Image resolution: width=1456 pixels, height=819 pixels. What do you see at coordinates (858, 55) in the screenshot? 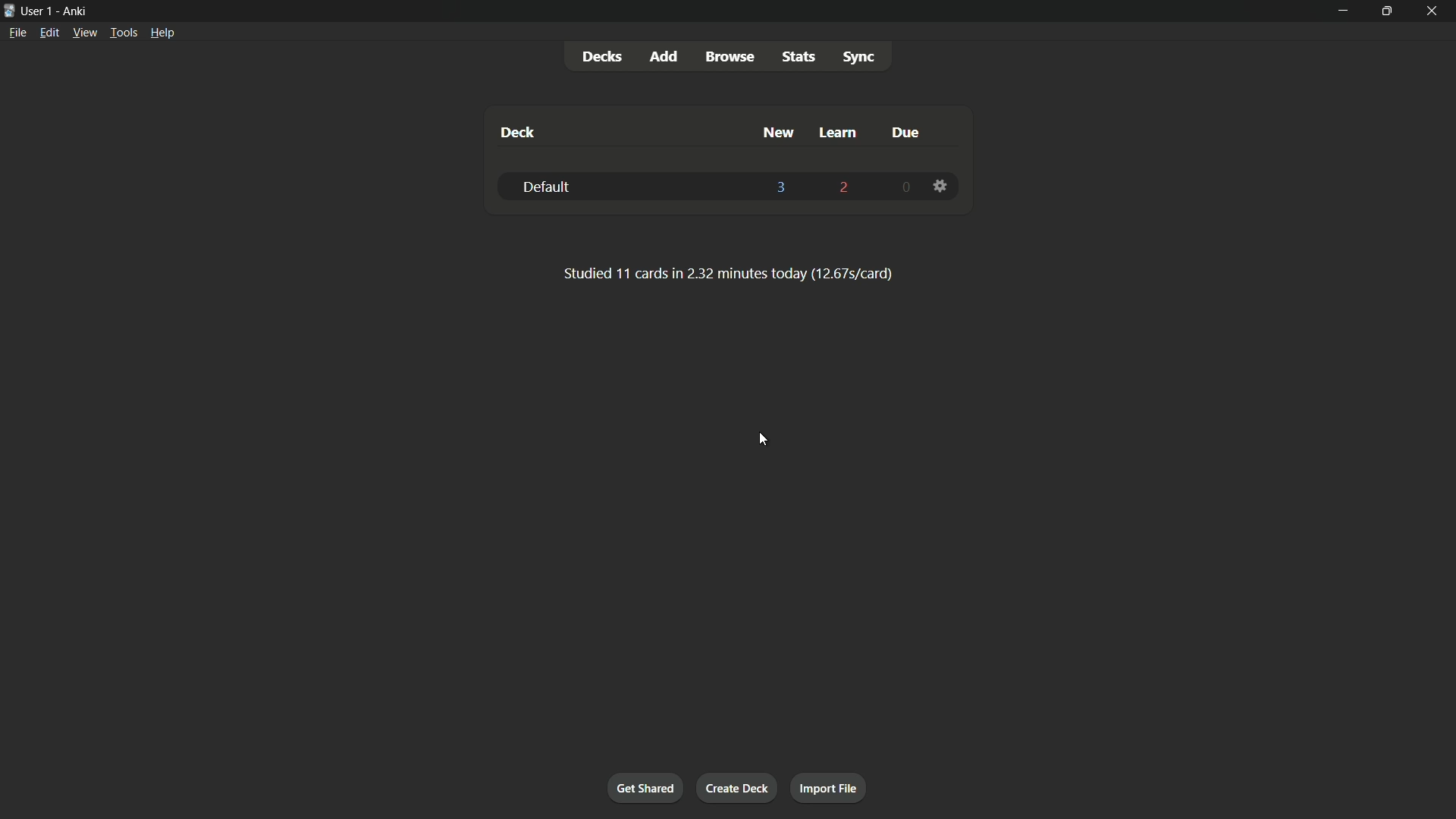
I see `sync` at bounding box center [858, 55].